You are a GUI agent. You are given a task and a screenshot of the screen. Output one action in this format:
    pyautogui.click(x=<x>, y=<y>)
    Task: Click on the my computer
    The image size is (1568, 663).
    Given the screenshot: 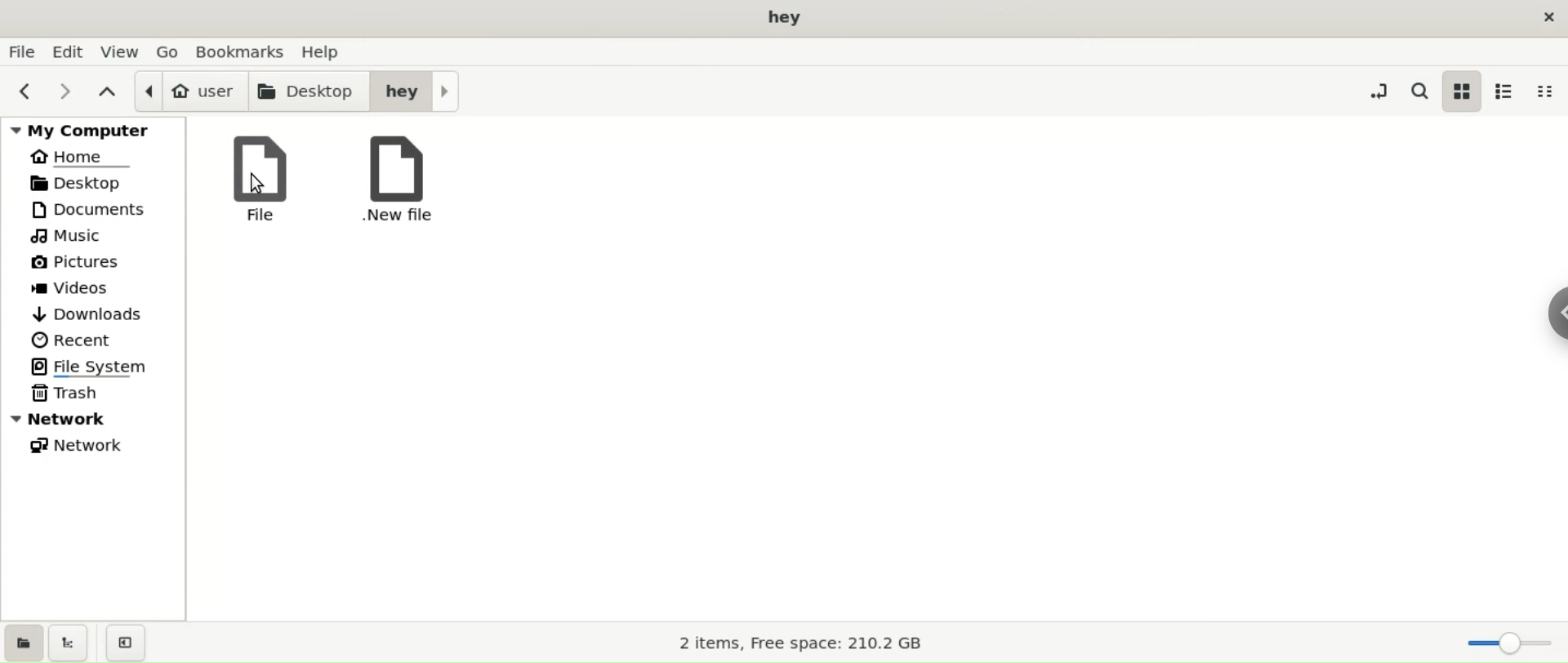 What is the action you would take?
    pyautogui.click(x=93, y=133)
    